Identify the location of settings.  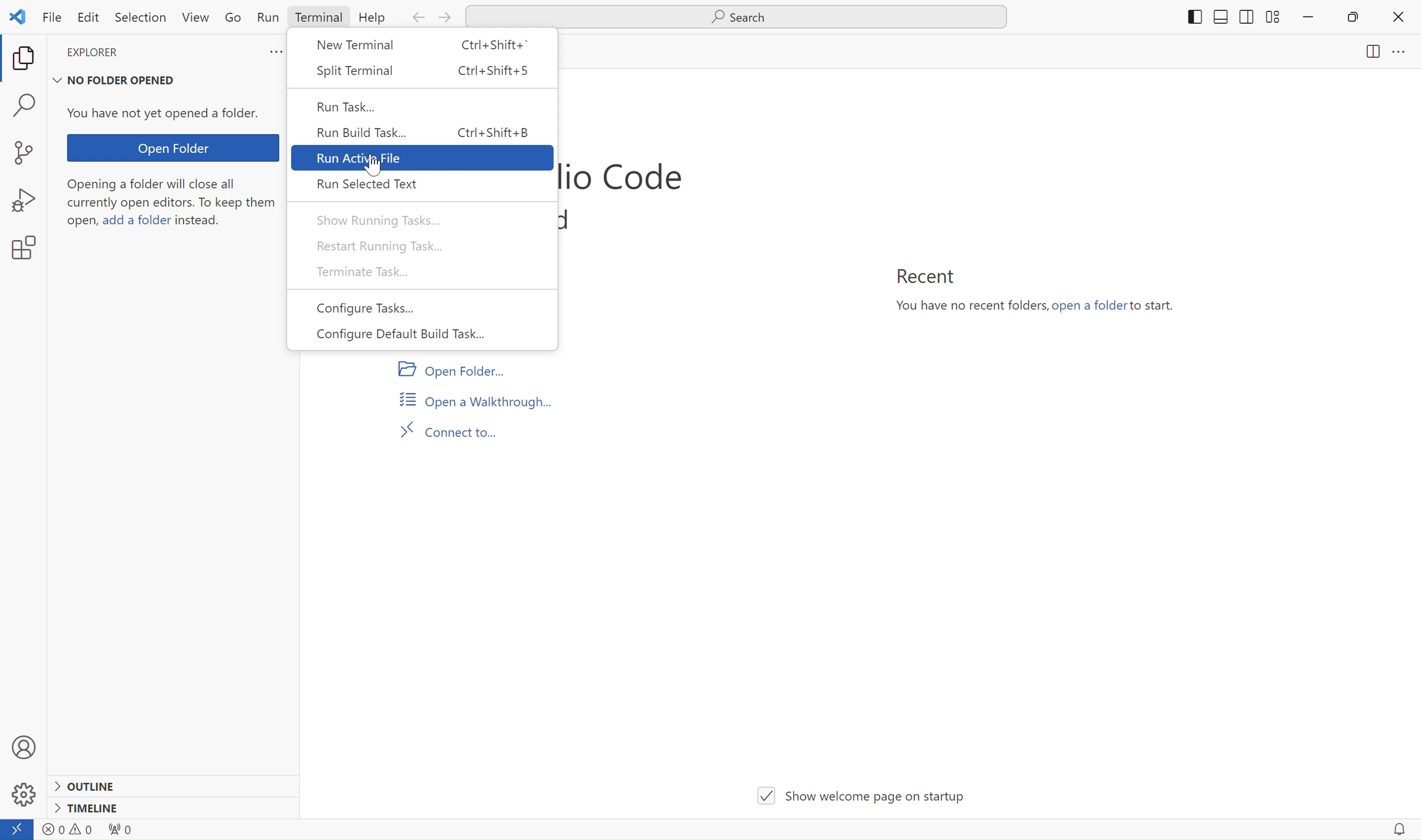
(24, 799).